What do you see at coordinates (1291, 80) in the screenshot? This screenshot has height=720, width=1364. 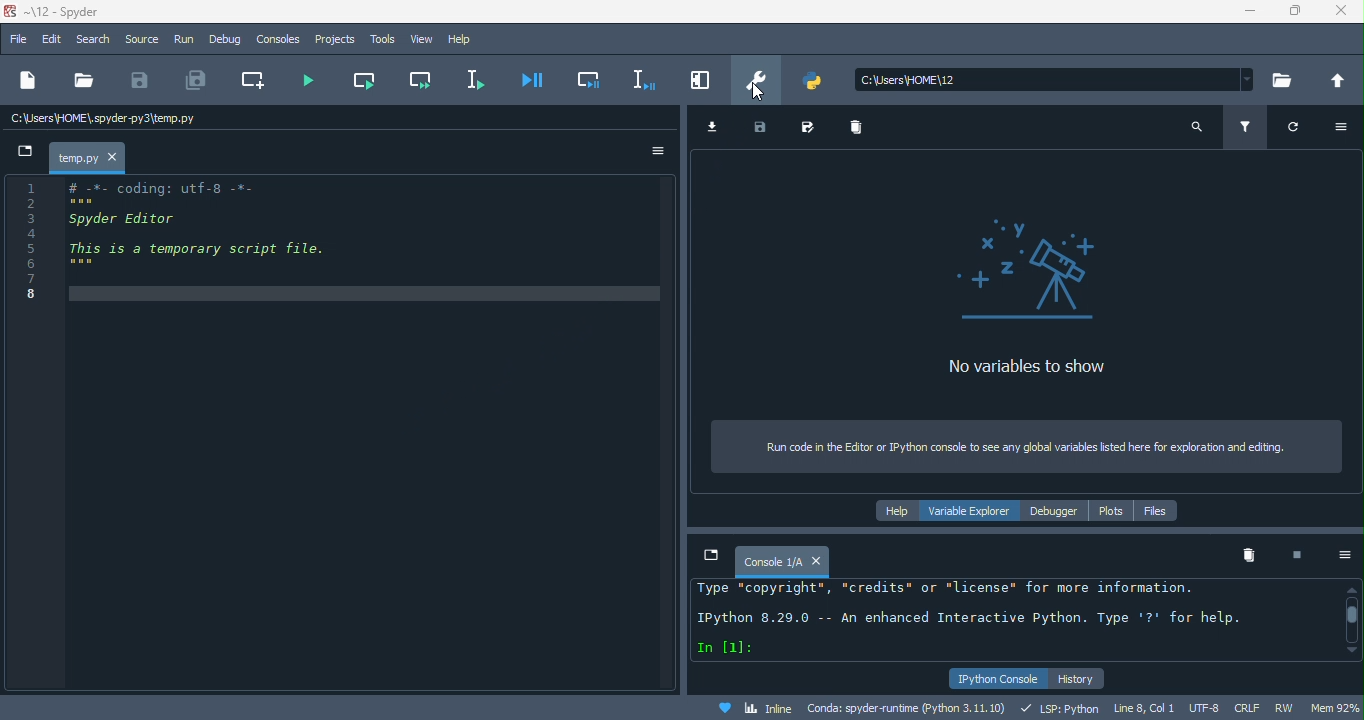 I see `` at bounding box center [1291, 80].